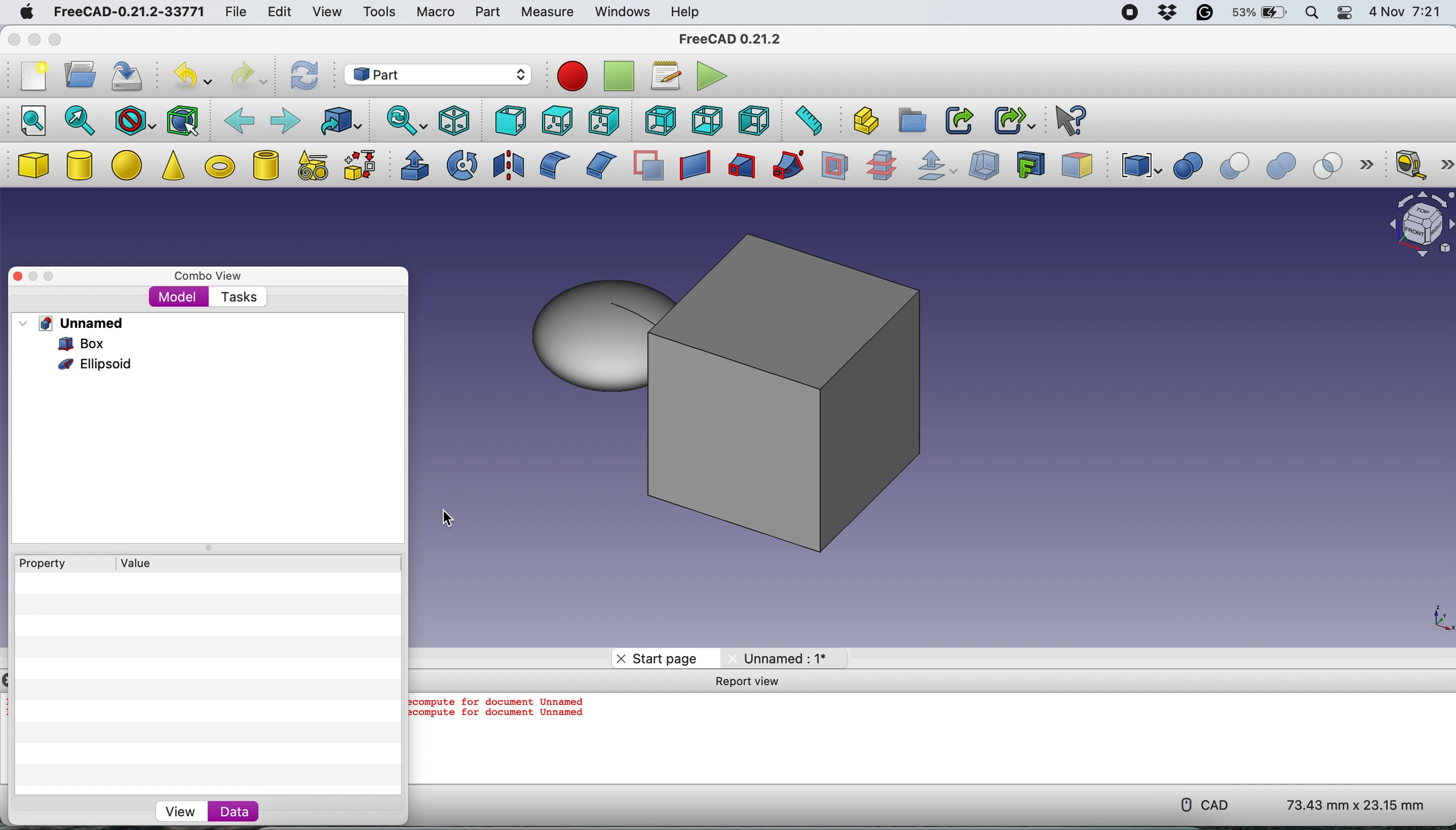 The height and width of the screenshot is (830, 1456). Describe the element at coordinates (1357, 806) in the screenshot. I see `73.43 mm x 23.15 mm` at that location.